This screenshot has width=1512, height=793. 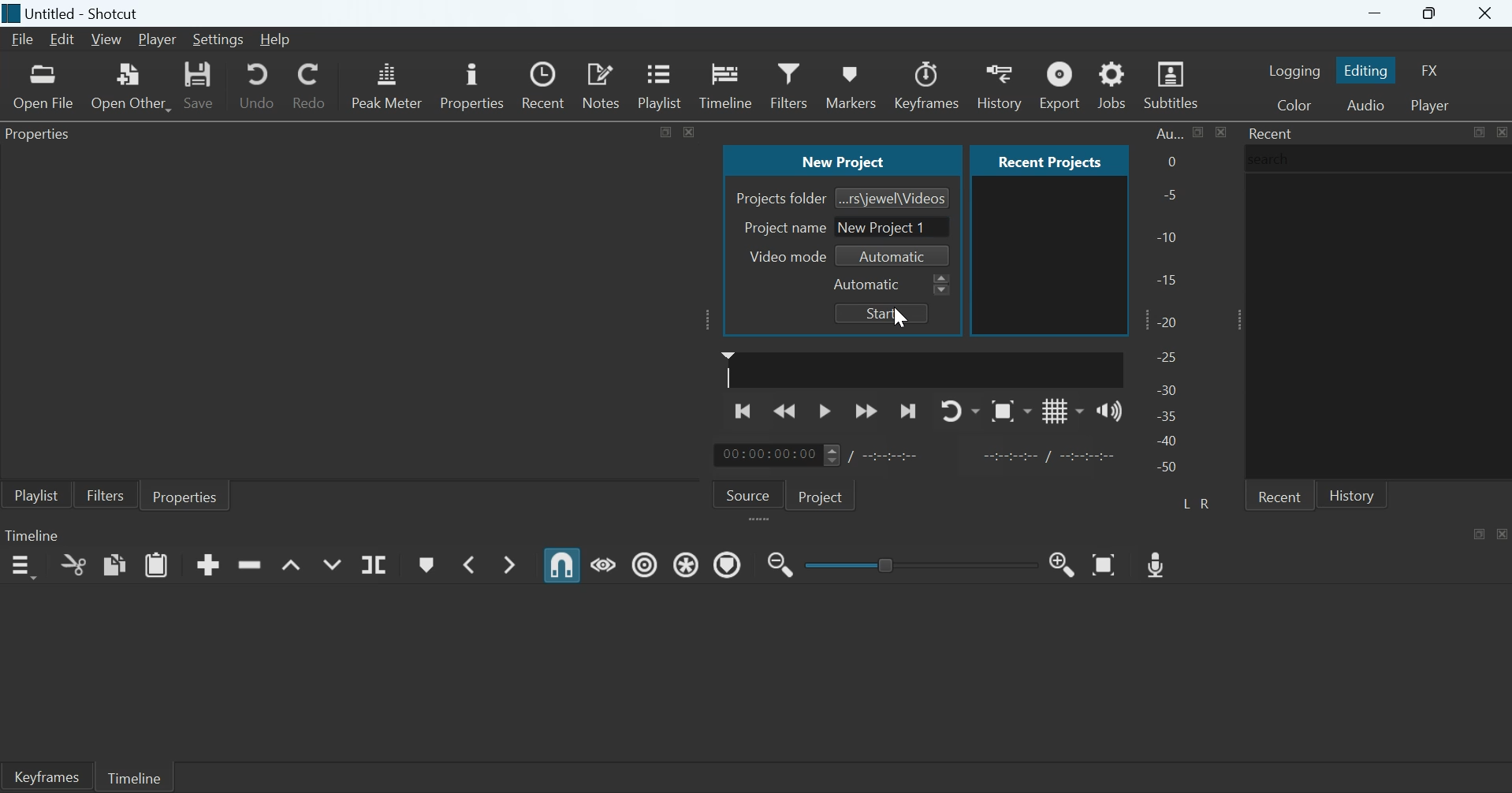 What do you see at coordinates (22, 567) in the screenshot?
I see `Timeline menu` at bounding box center [22, 567].